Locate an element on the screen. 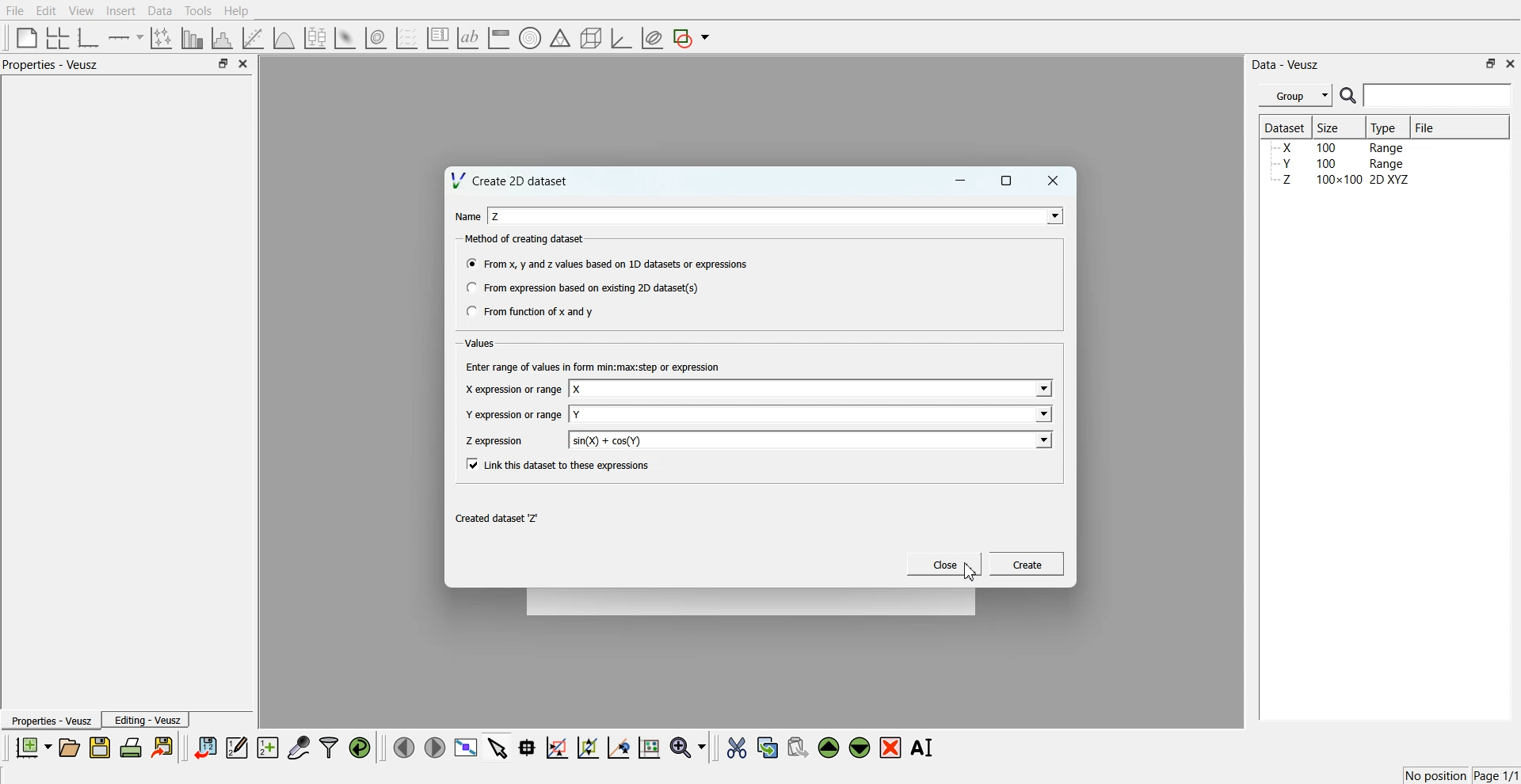  Plot key is located at coordinates (437, 38).